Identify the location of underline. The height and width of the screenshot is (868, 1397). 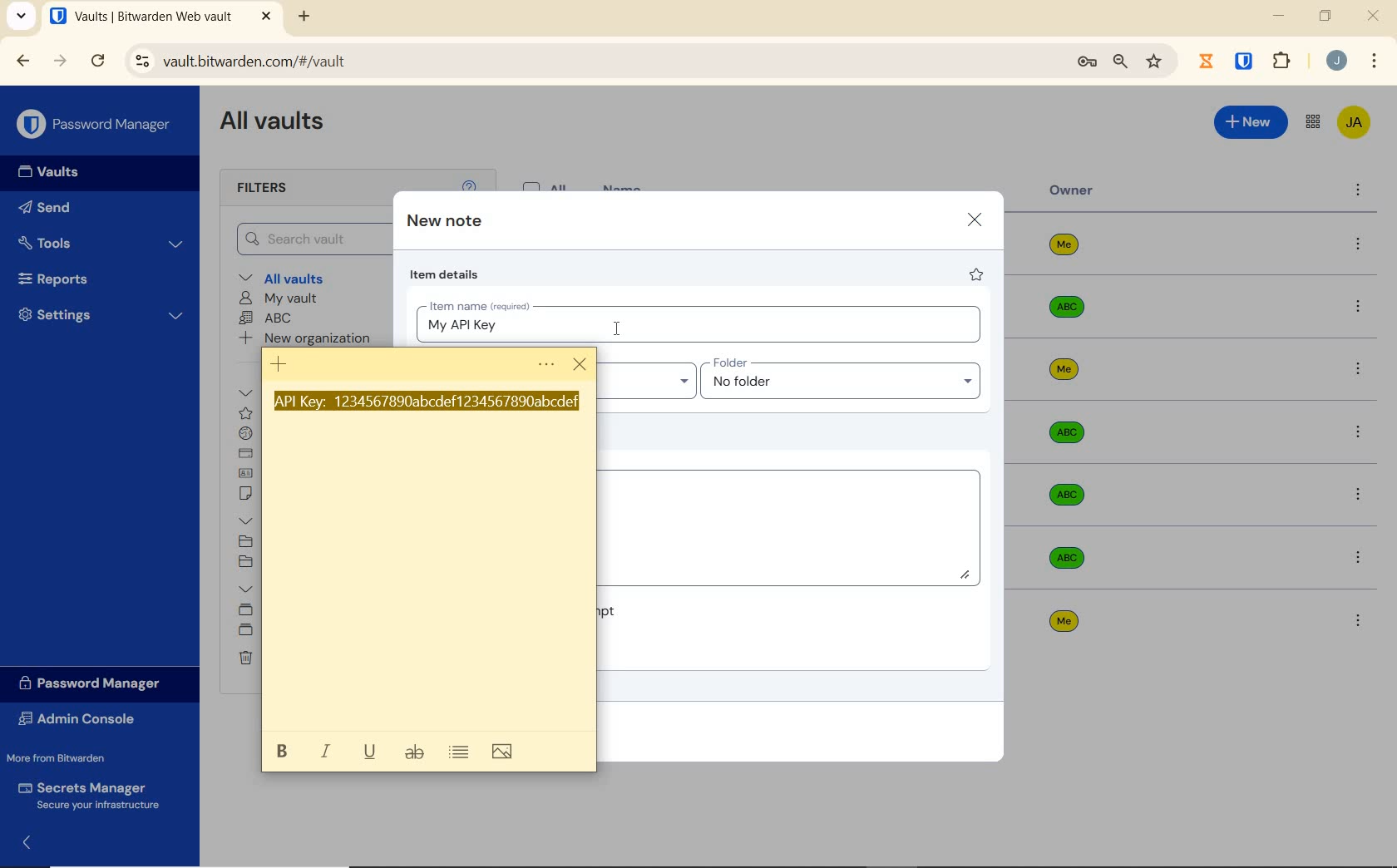
(371, 750).